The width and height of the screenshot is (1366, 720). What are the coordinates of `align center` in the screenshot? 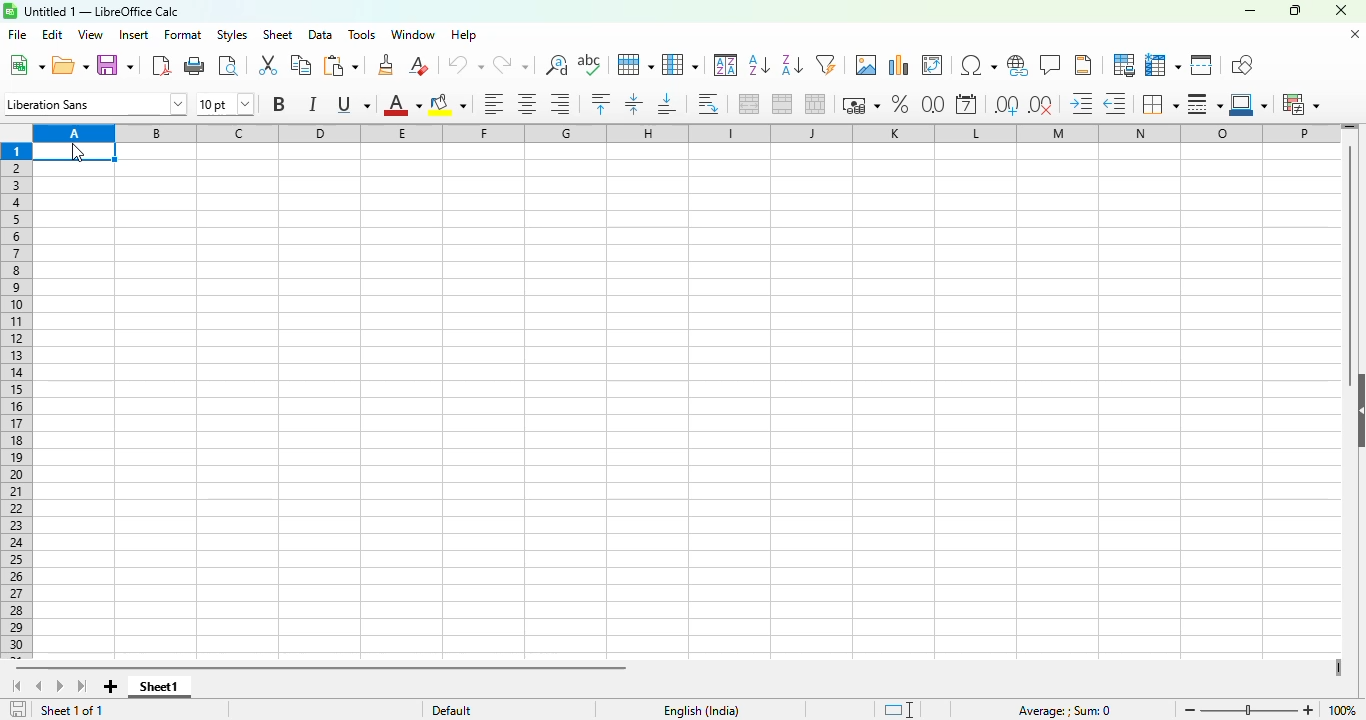 It's located at (527, 105).